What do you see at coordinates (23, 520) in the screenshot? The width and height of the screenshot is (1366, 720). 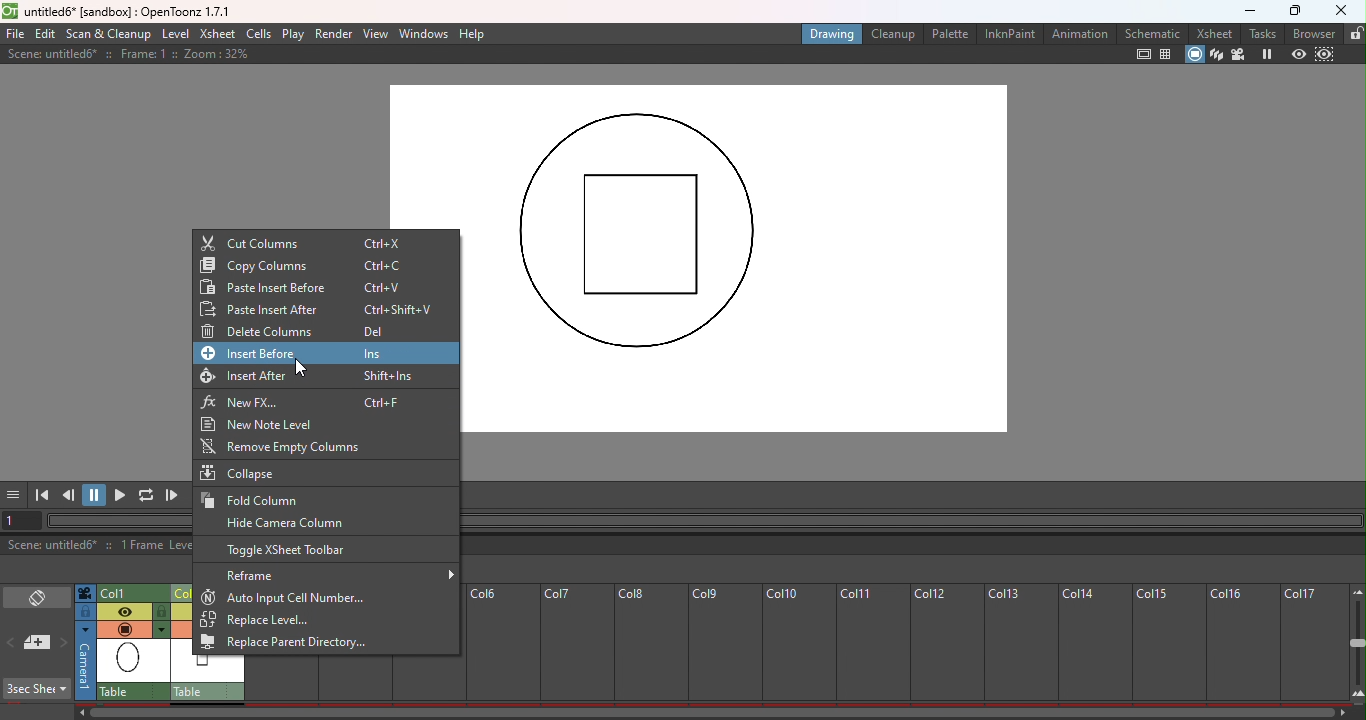 I see `Set the current frame` at bounding box center [23, 520].